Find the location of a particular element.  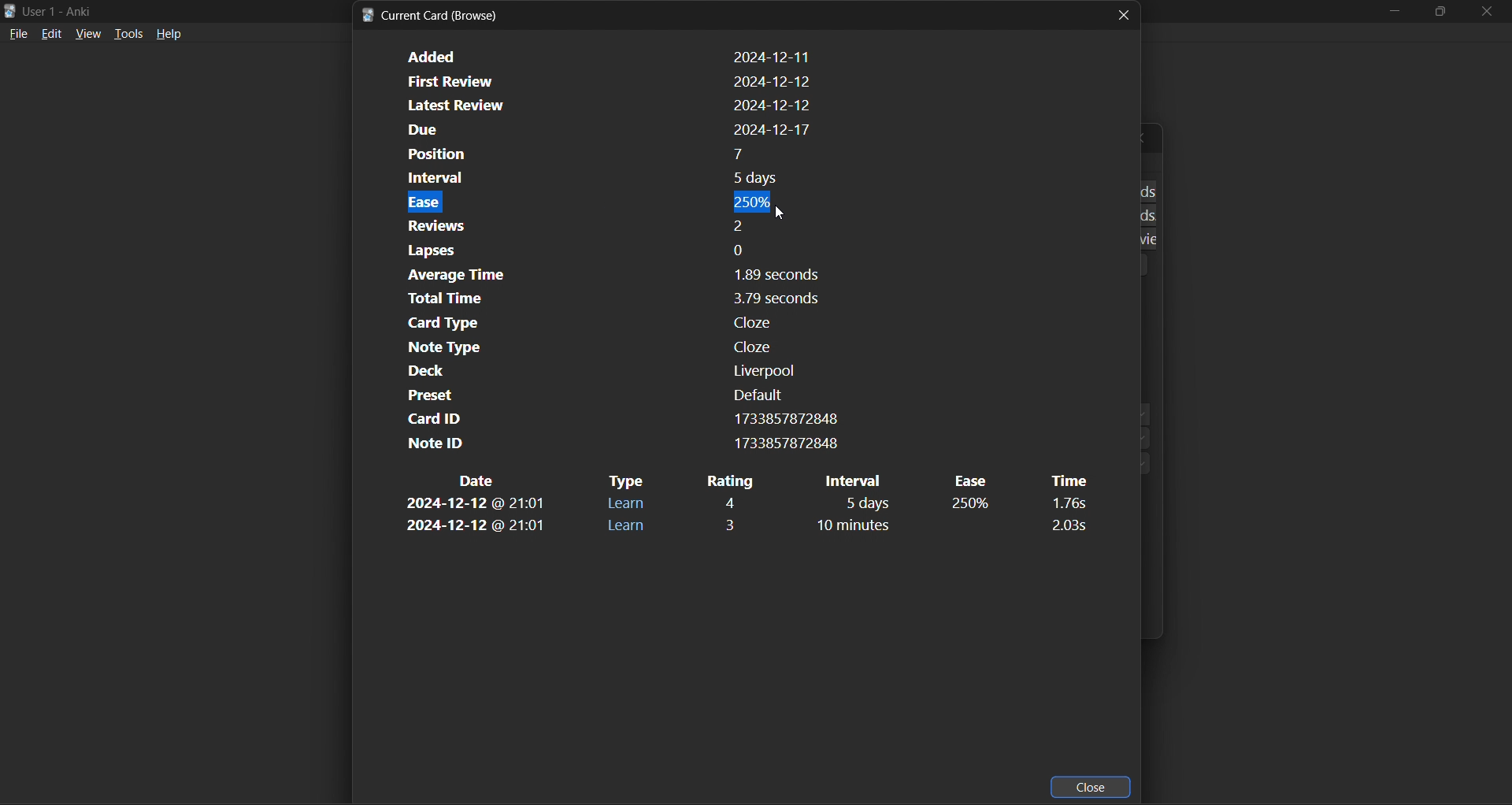

card average time is located at coordinates (604, 276).